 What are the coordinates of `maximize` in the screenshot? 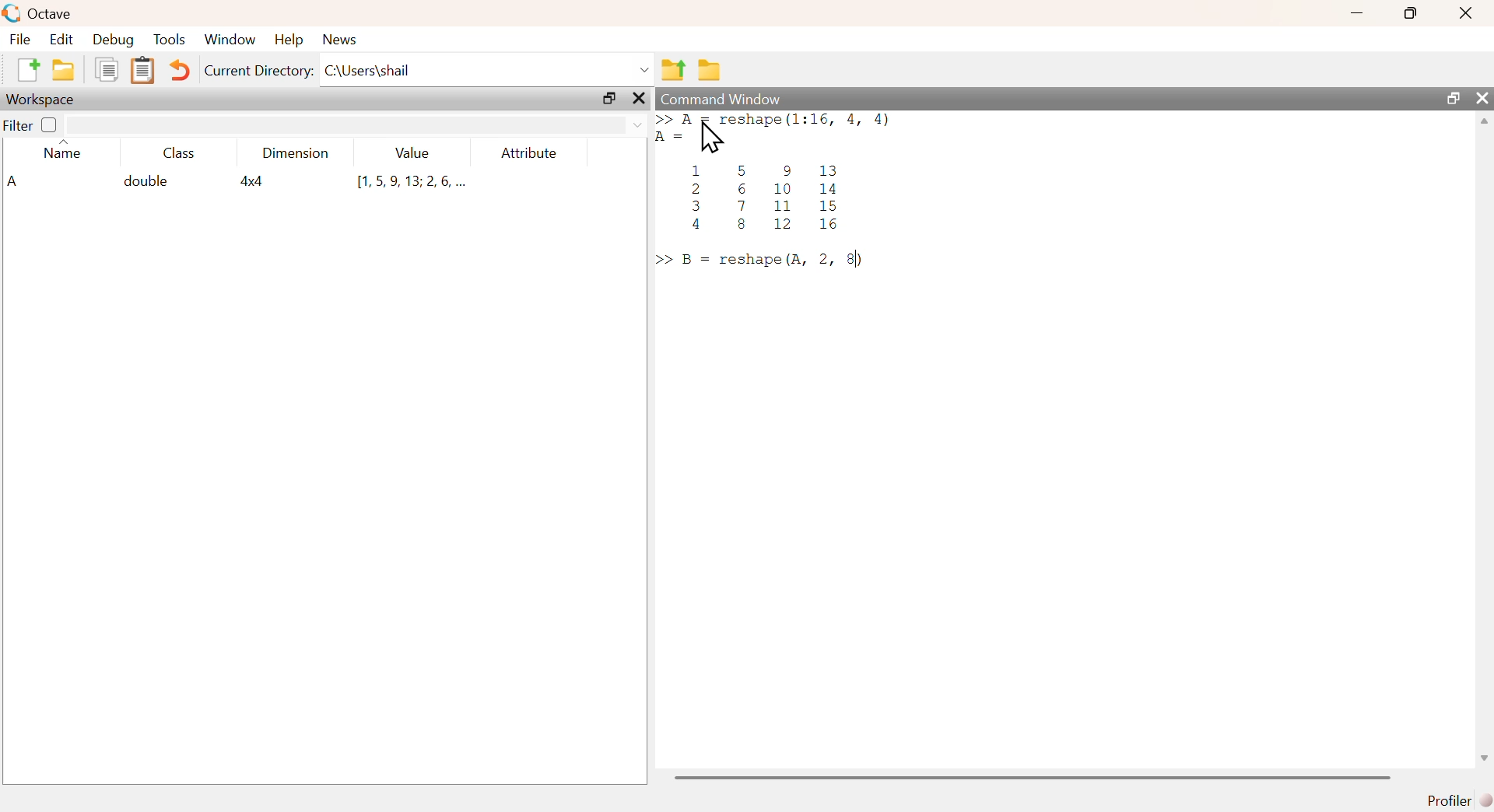 It's located at (608, 100).